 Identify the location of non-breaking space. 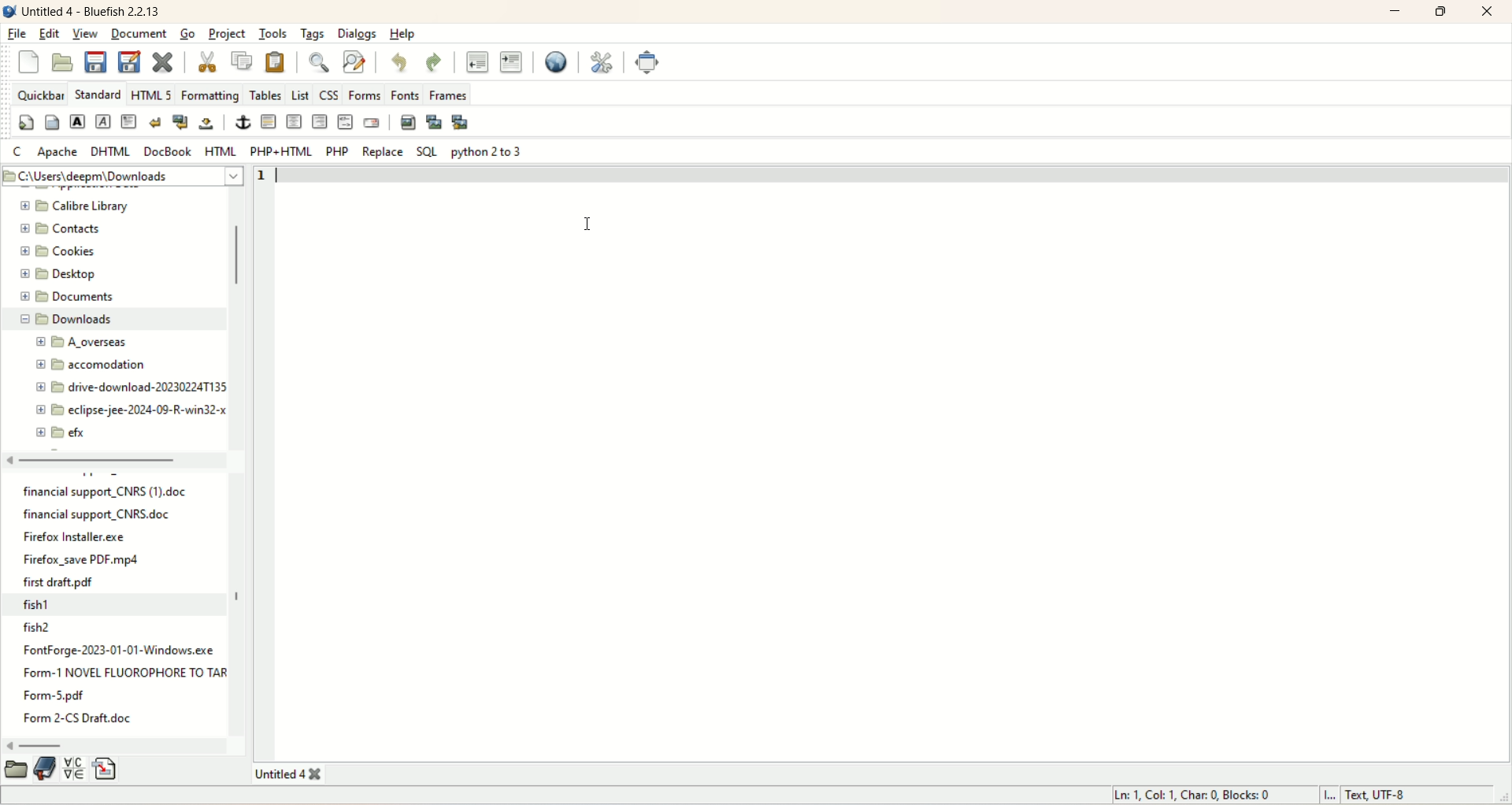
(204, 123).